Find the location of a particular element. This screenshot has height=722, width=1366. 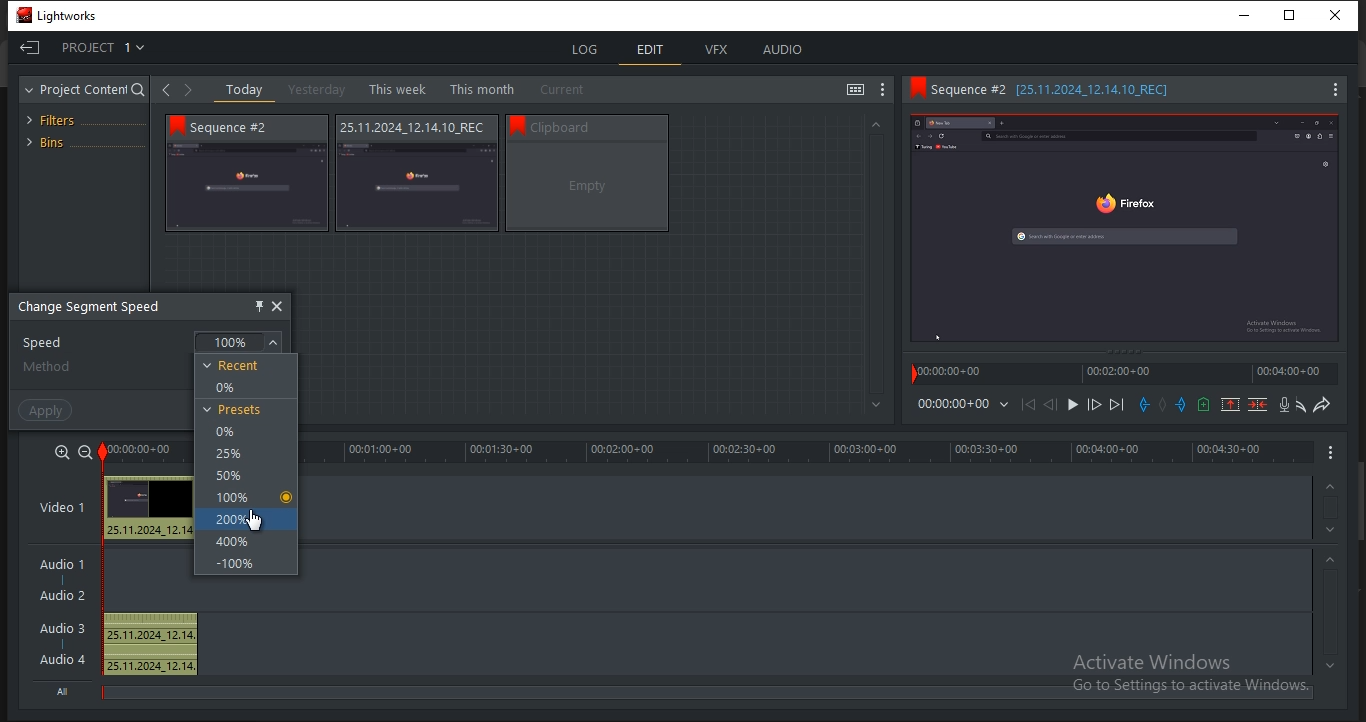

Audio 1 is located at coordinates (66, 568).